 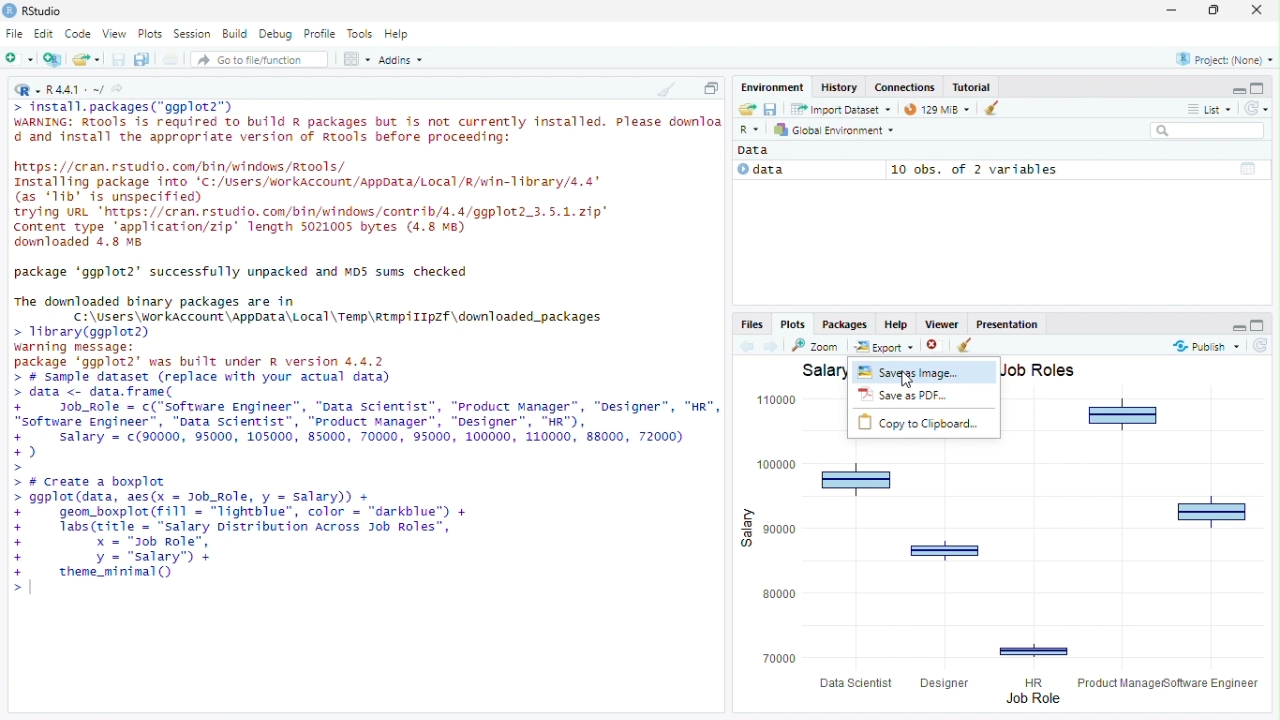 I want to click on Tutorial, so click(x=971, y=87).